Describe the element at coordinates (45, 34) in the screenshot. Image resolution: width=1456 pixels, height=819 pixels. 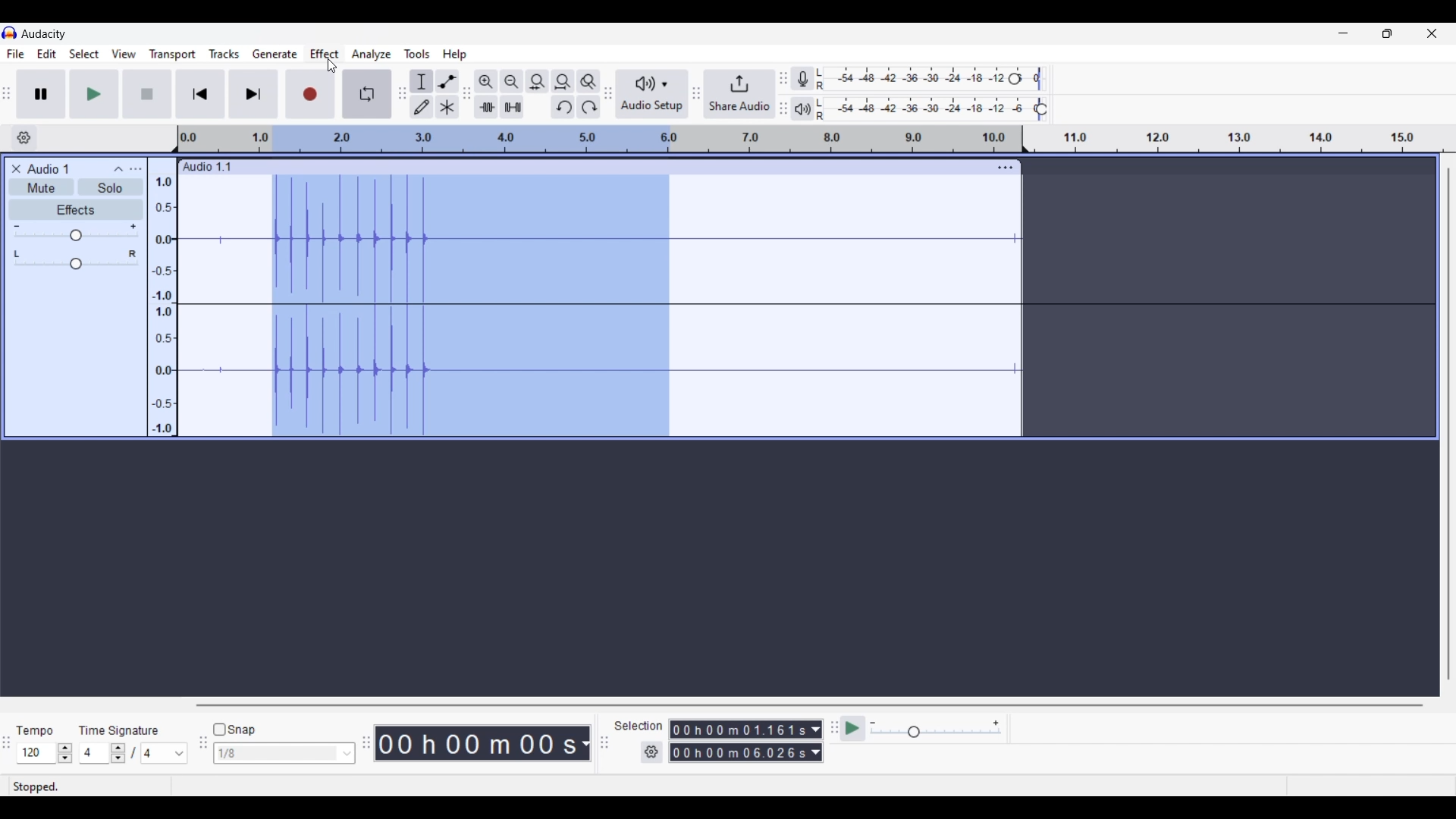
I see `Software name` at that location.